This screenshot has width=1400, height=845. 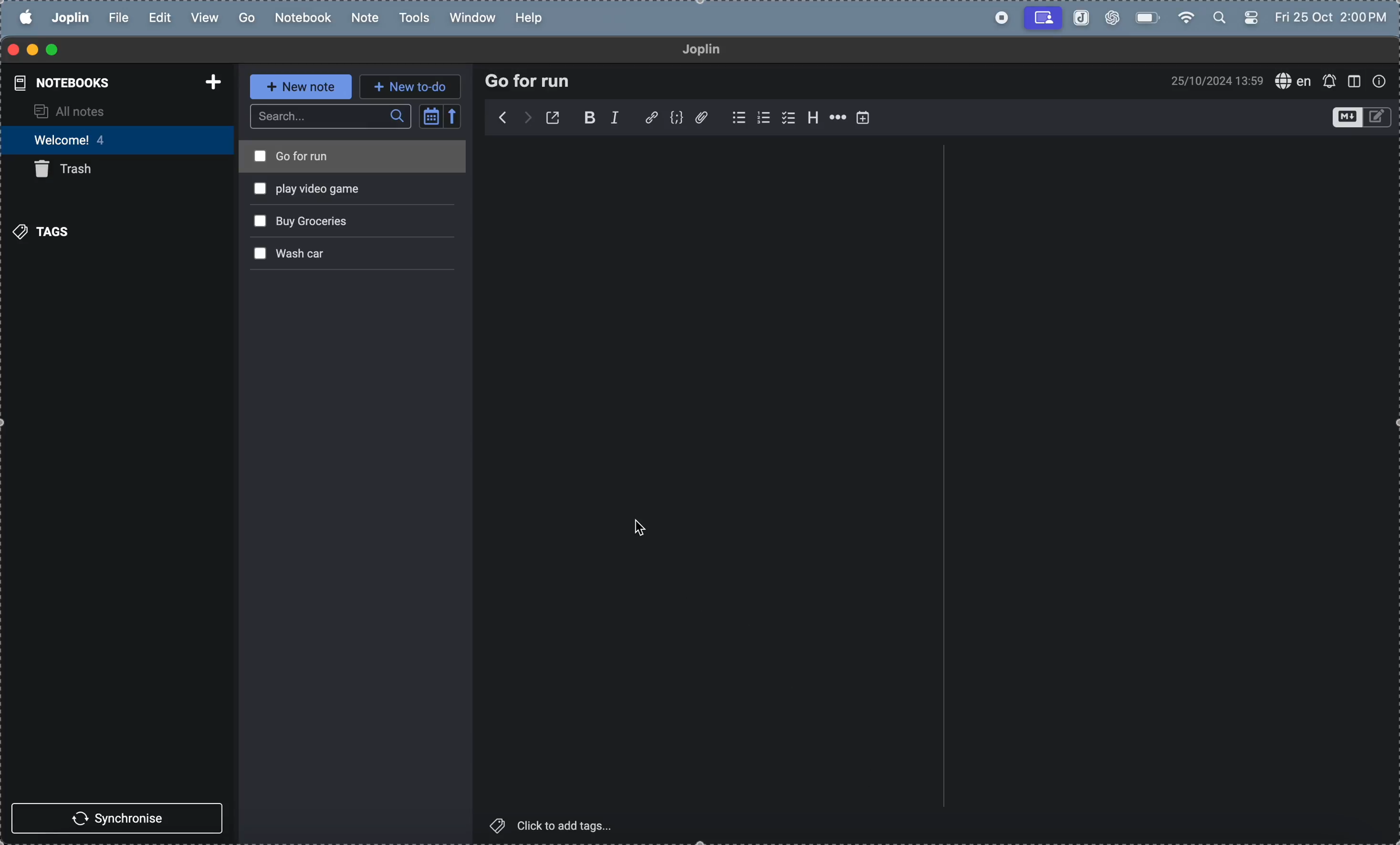 I want to click on toggle external editing, so click(x=557, y=118).